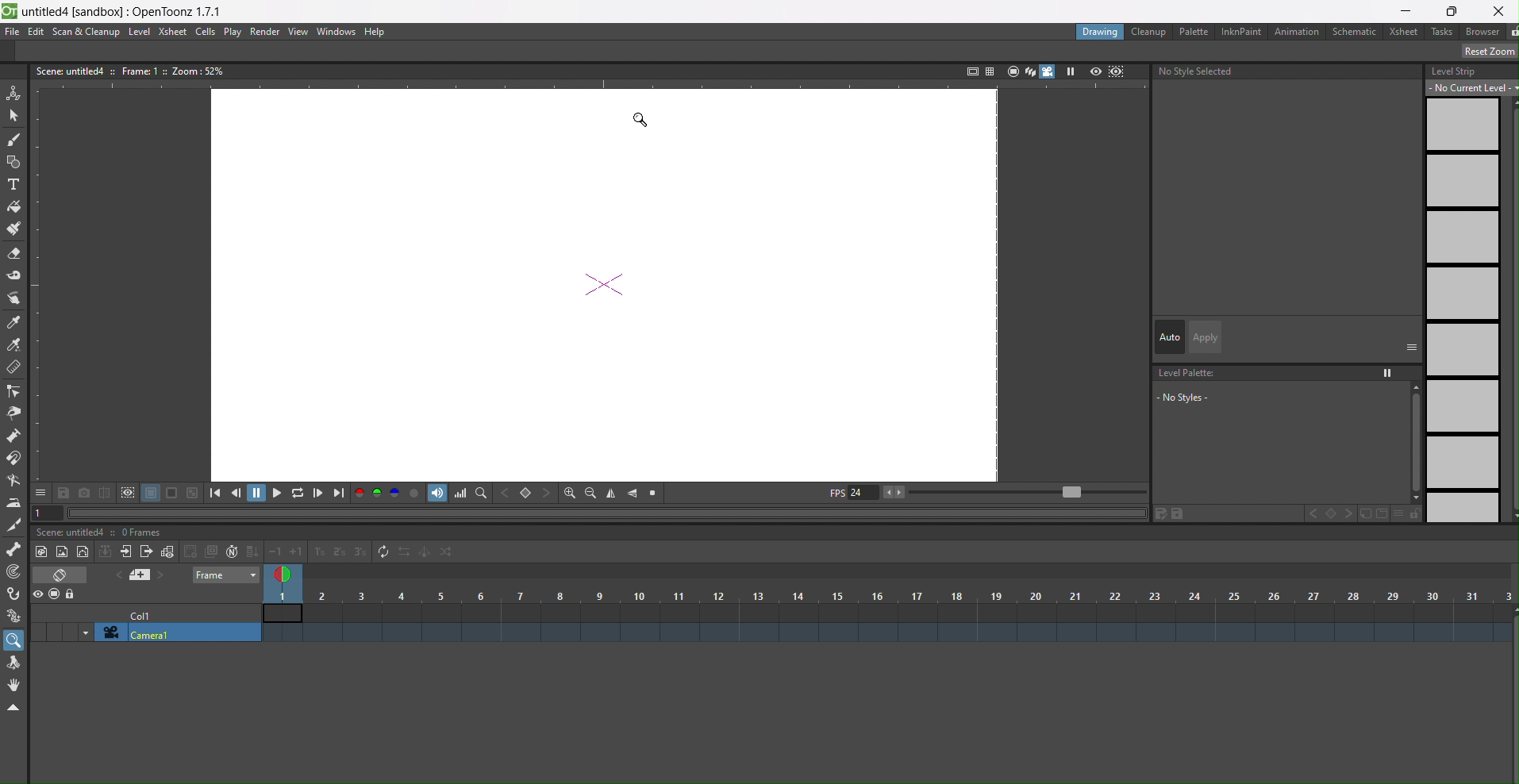  Describe the element at coordinates (1466, 294) in the screenshot. I see `level strip` at that location.